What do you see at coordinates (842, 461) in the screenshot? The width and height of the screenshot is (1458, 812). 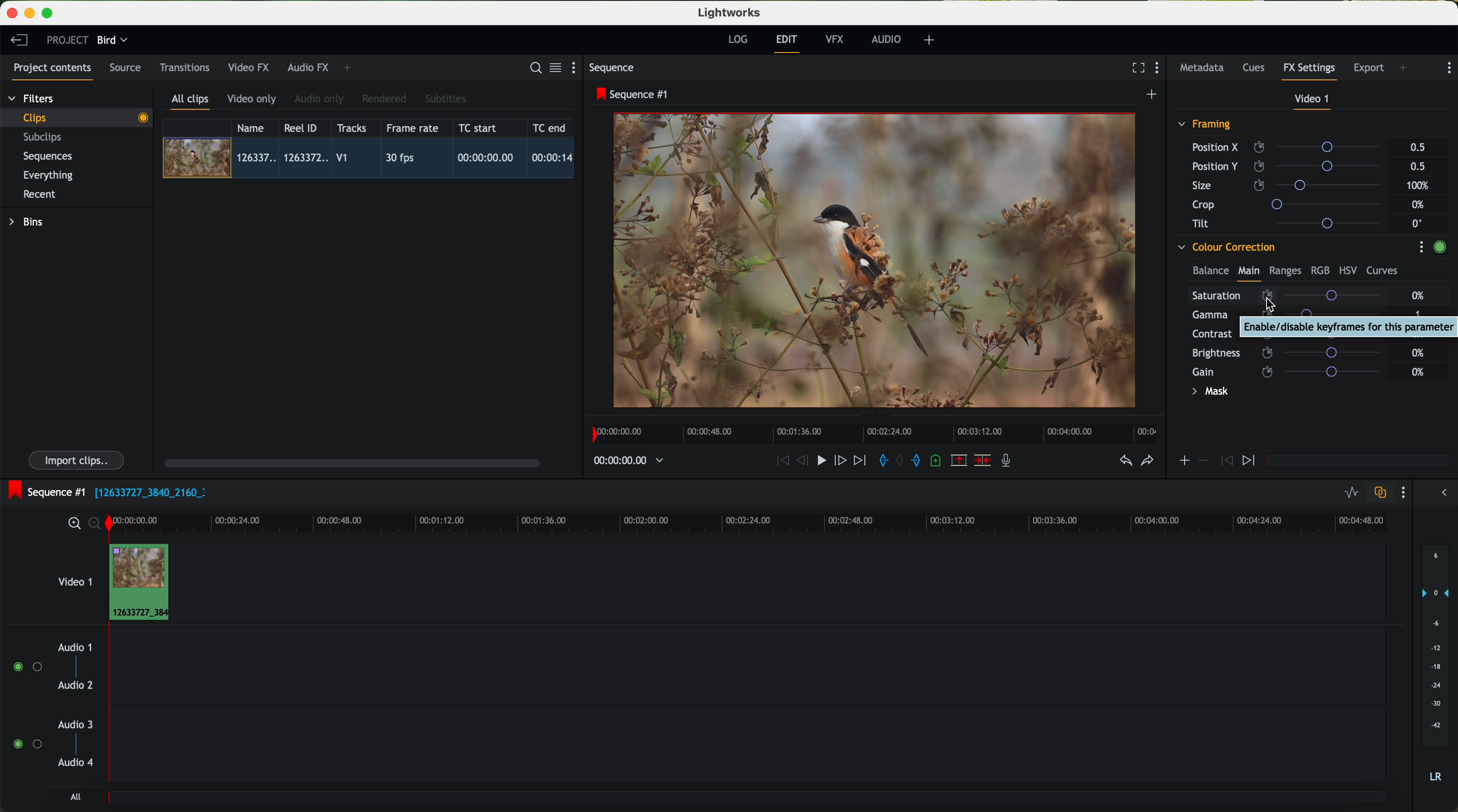 I see `nudge one frame foward` at bounding box center [842, 461].